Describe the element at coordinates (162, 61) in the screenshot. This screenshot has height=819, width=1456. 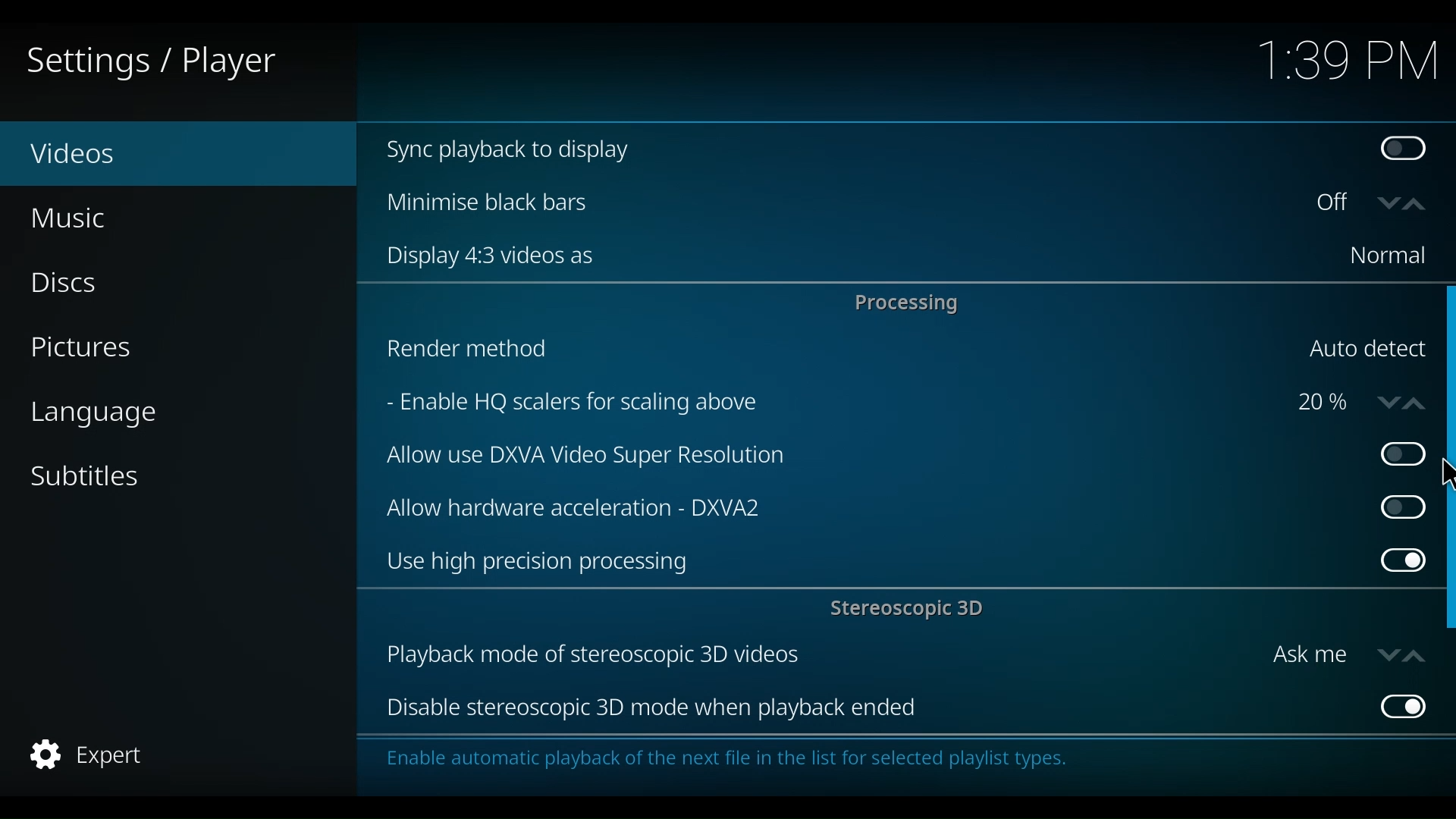
I see `Settings / Player` at that location.